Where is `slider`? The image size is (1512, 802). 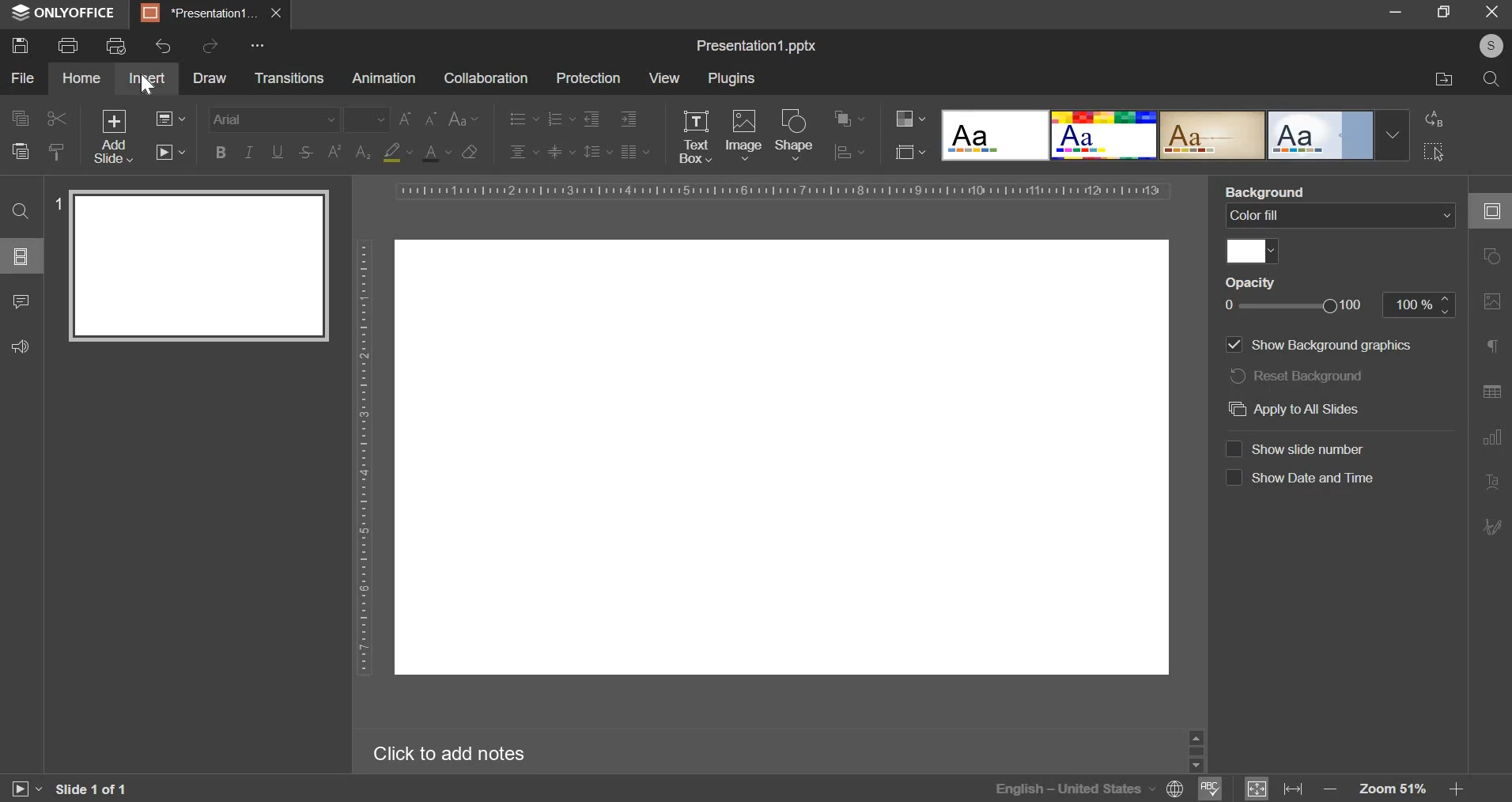
slider is located at coordinates (1196, 751).